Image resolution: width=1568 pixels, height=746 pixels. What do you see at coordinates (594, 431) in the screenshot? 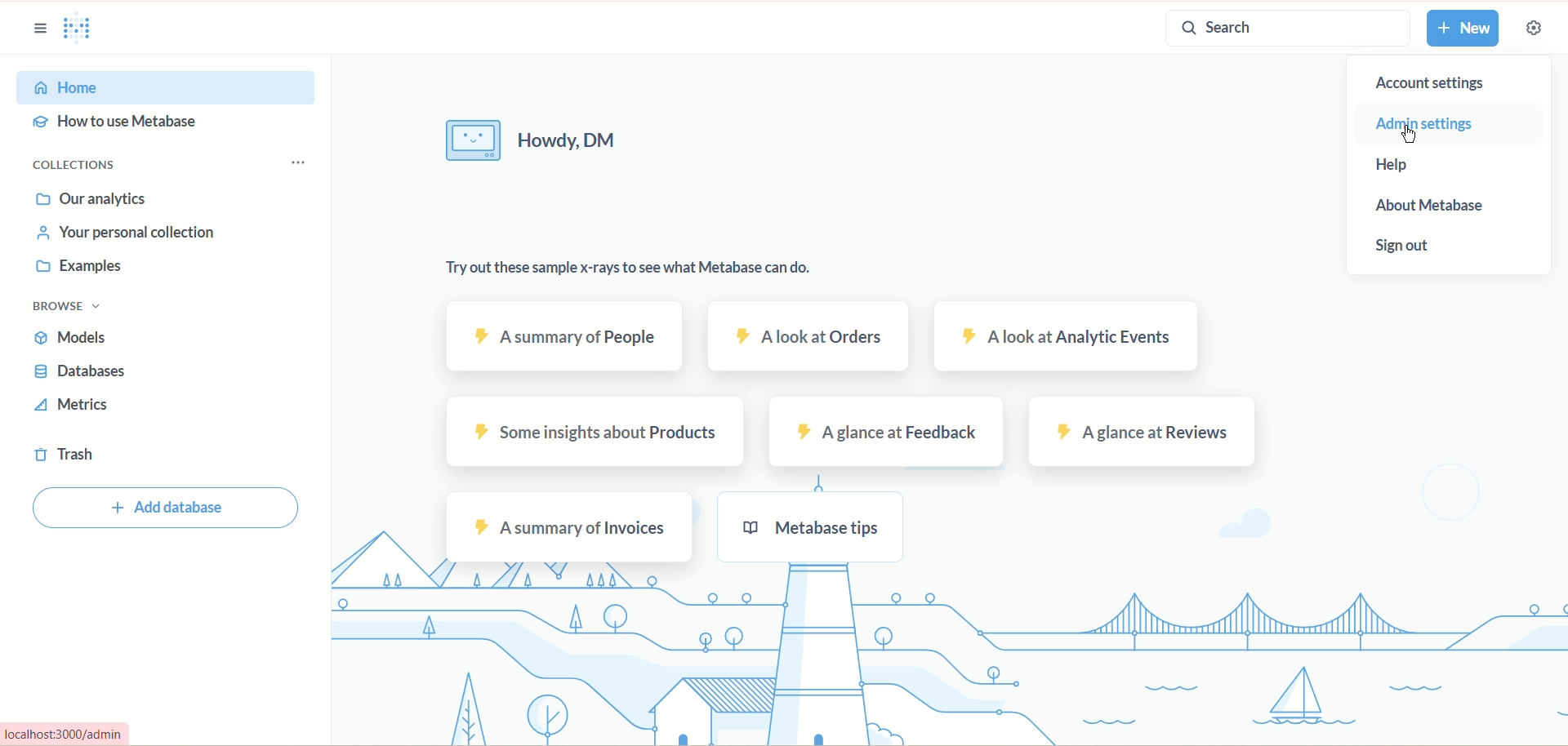
I see `some insight about products` at bounding box center [594, 431].